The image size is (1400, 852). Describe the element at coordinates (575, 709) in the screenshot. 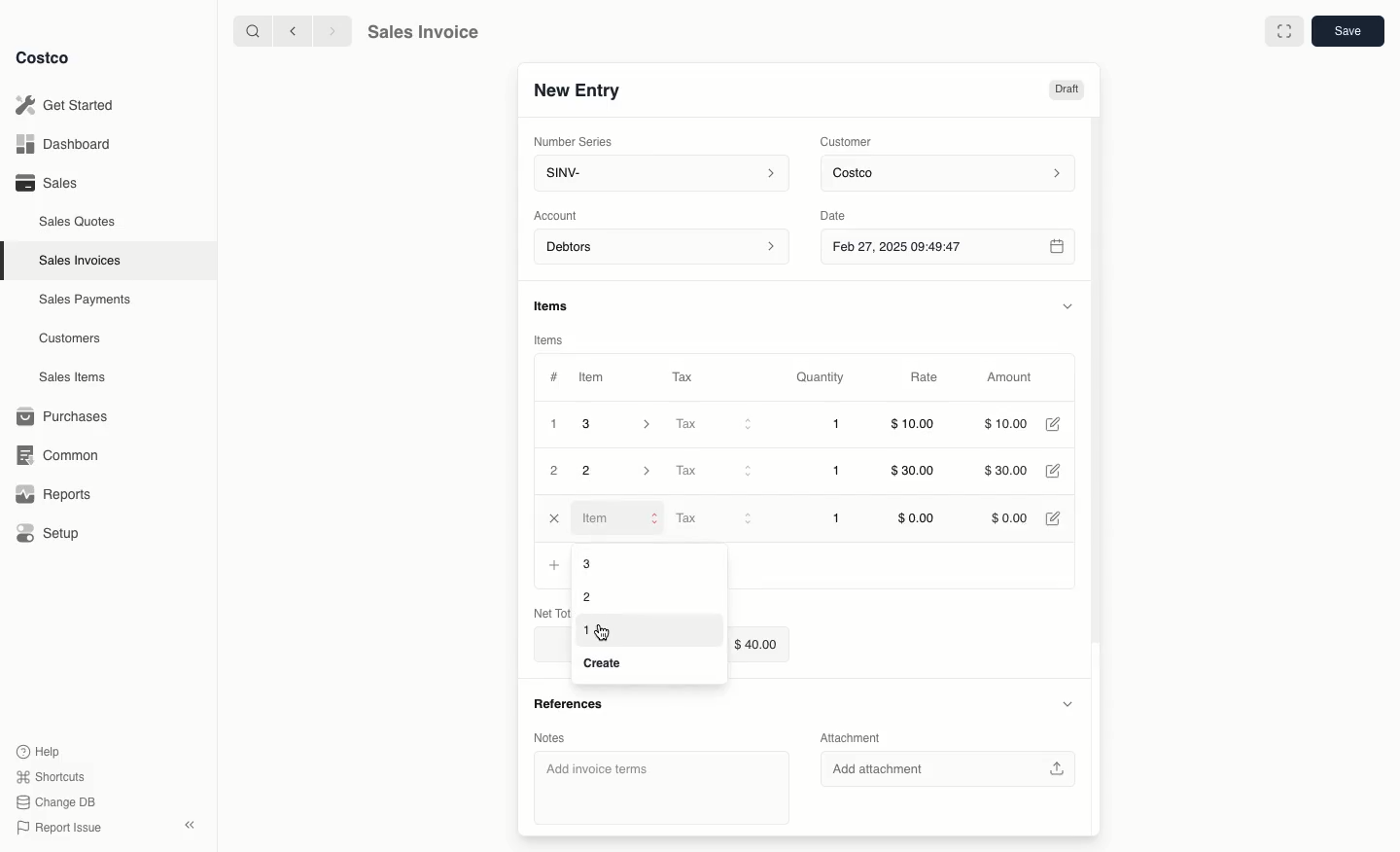

I see `References` at that location.